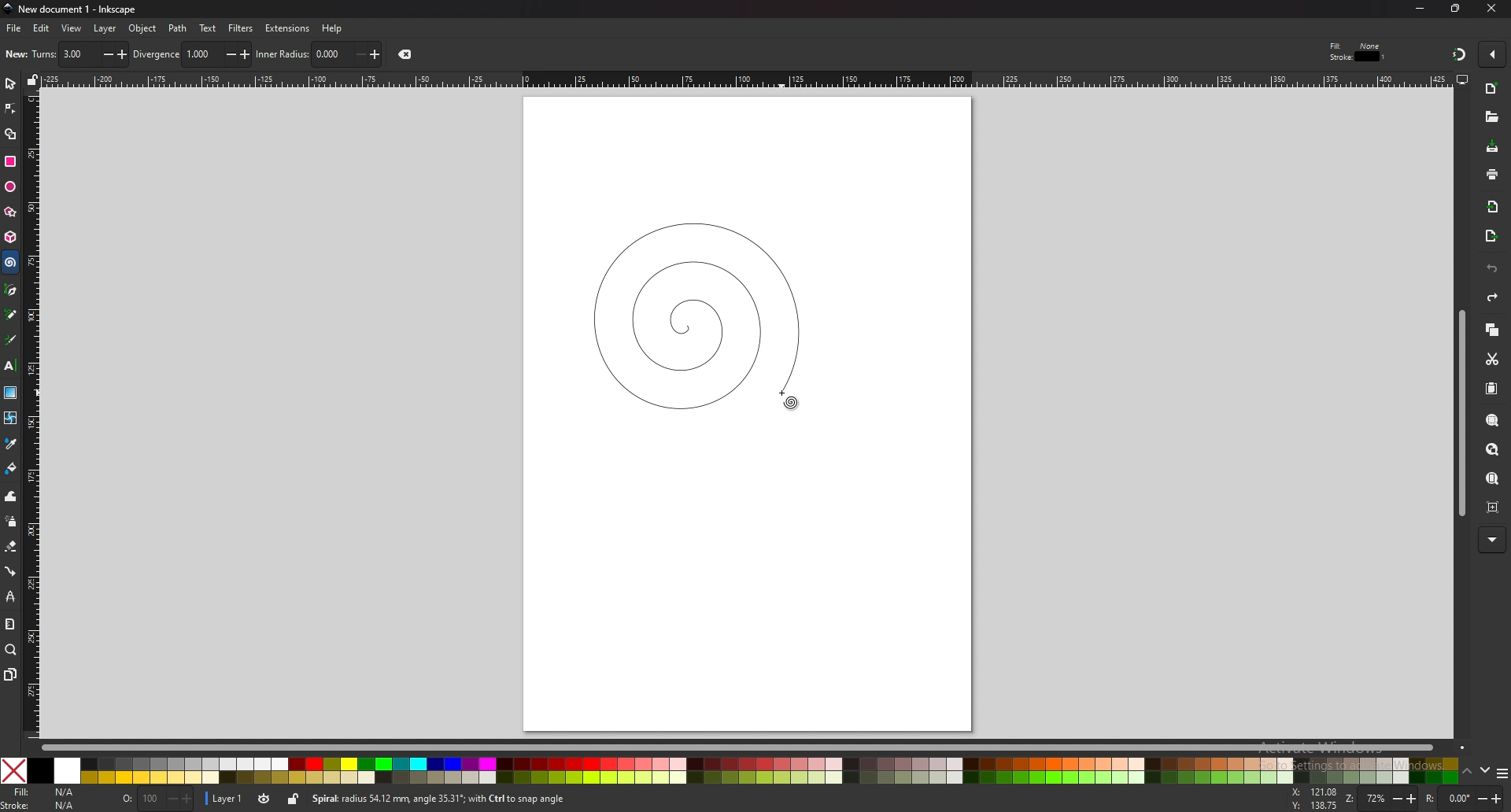 This screenshot has height=812, width=1511. Describe the element at coordinates (1492, 538) in the screenshot. I see `more` at that location.